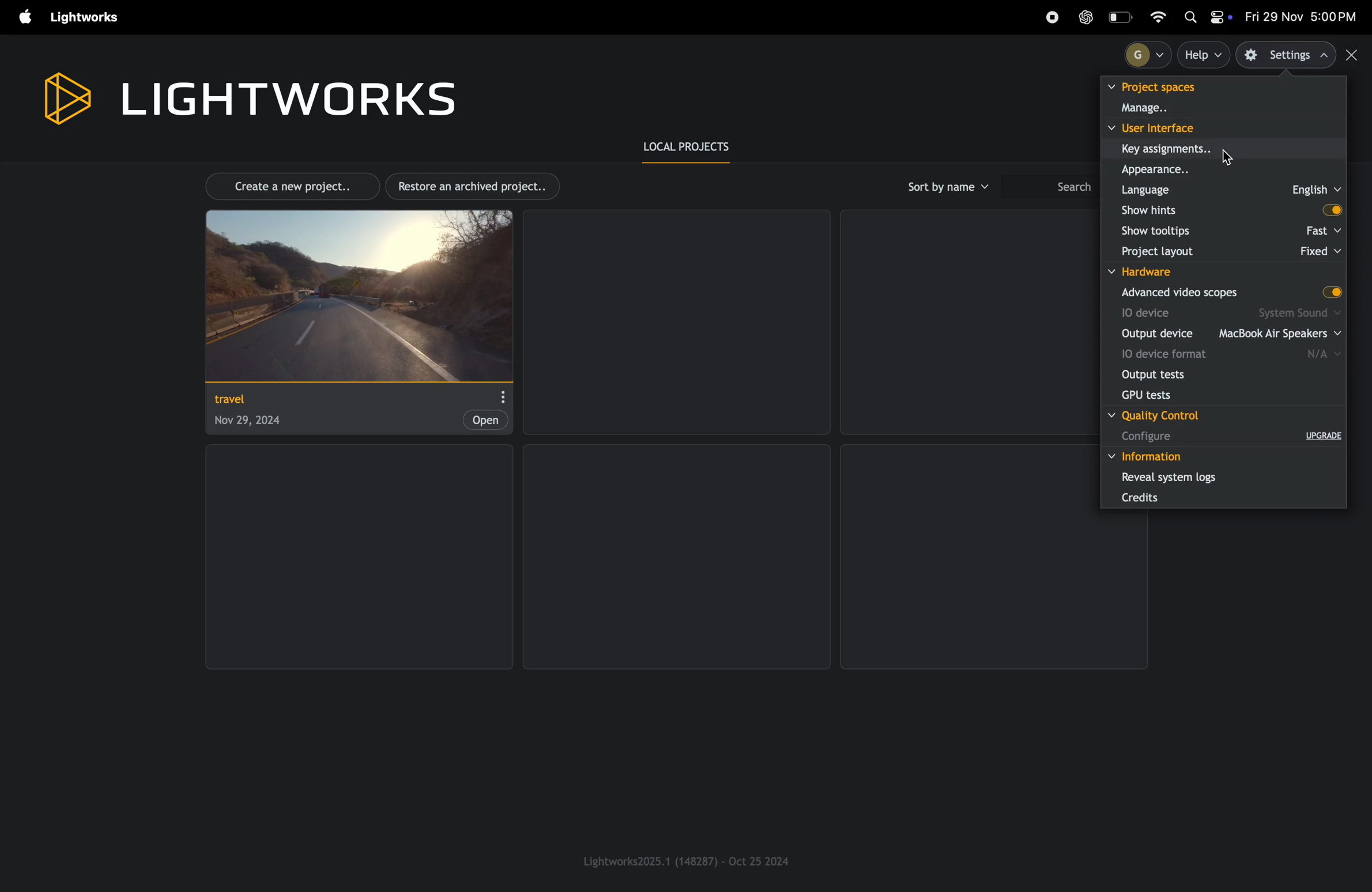 The image size is (1372, 892). What do you see at coordinates (1222, 477) in the screenshot?
I see `reveal systems` at bounding box center [1222, 477].